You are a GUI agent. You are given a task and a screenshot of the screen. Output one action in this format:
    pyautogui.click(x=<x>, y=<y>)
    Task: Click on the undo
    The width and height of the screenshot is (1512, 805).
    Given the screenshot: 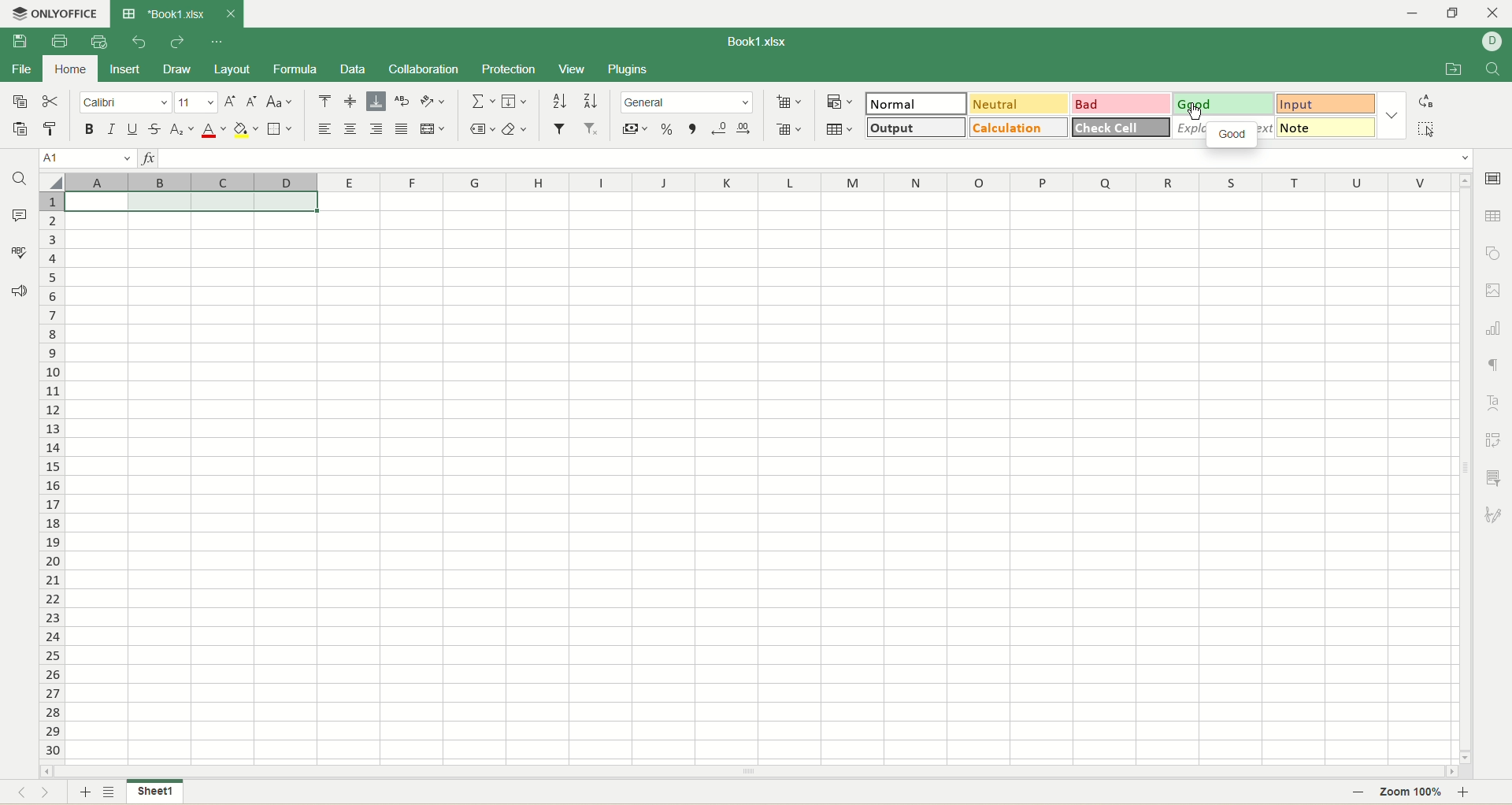 What is the action you would take?
    pyautogui.click(x=136, y=43)
    